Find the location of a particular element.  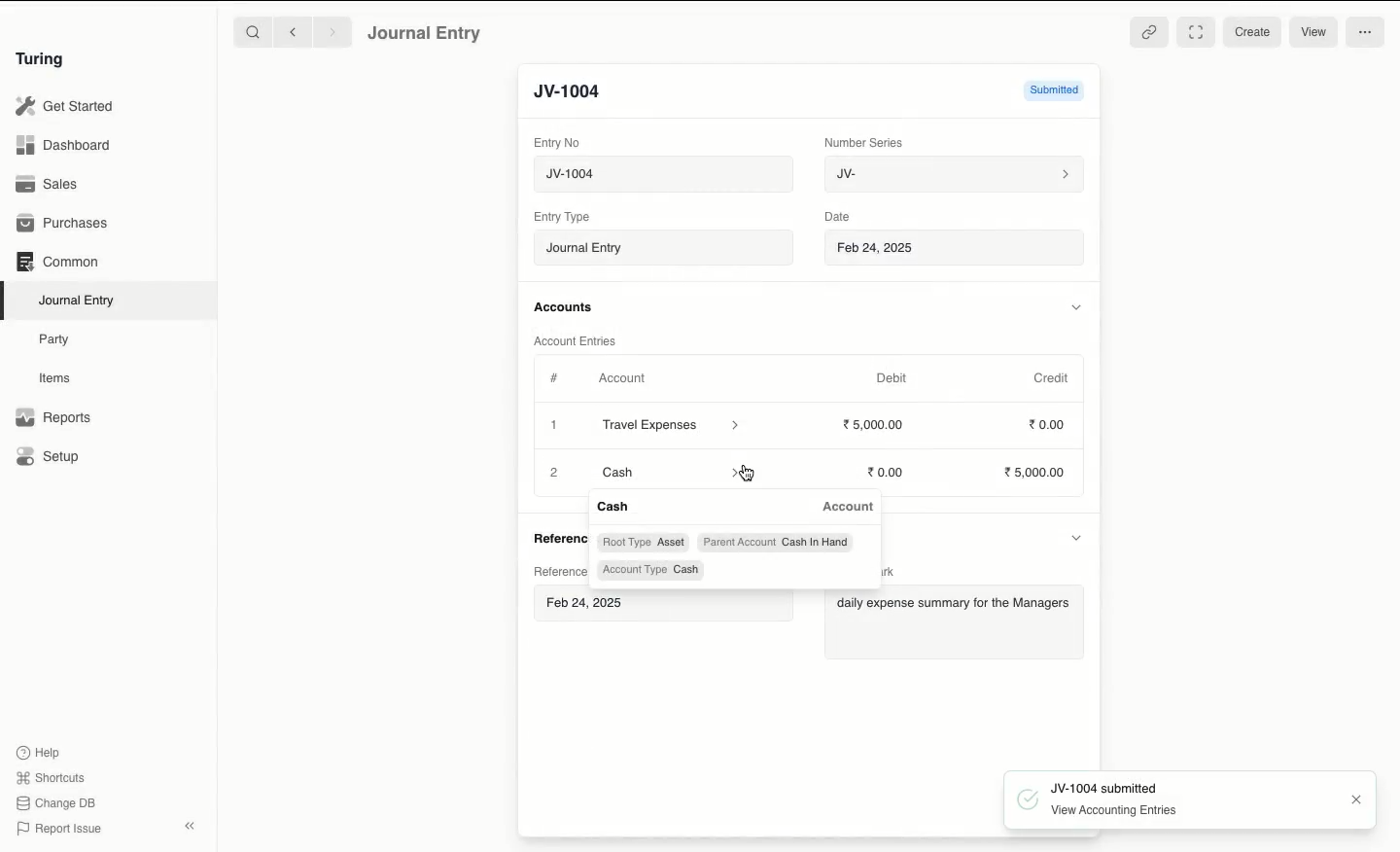

Credit is located at coordinates (1053, 378).